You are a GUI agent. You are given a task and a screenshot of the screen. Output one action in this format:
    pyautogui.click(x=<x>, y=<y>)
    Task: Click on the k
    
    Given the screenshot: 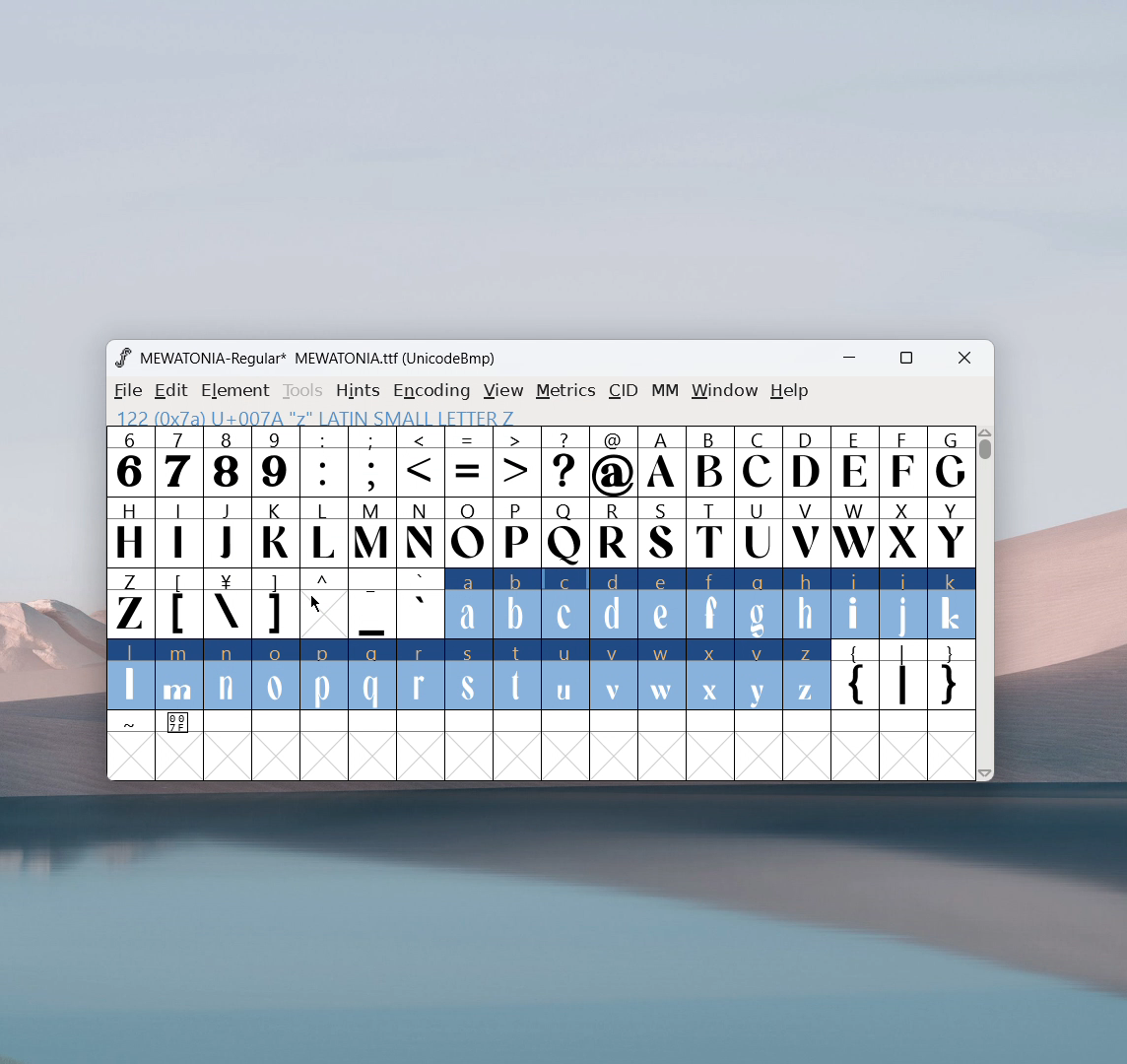 What is the action you would take?
    pyautogui.click(x=953, y=604)
    